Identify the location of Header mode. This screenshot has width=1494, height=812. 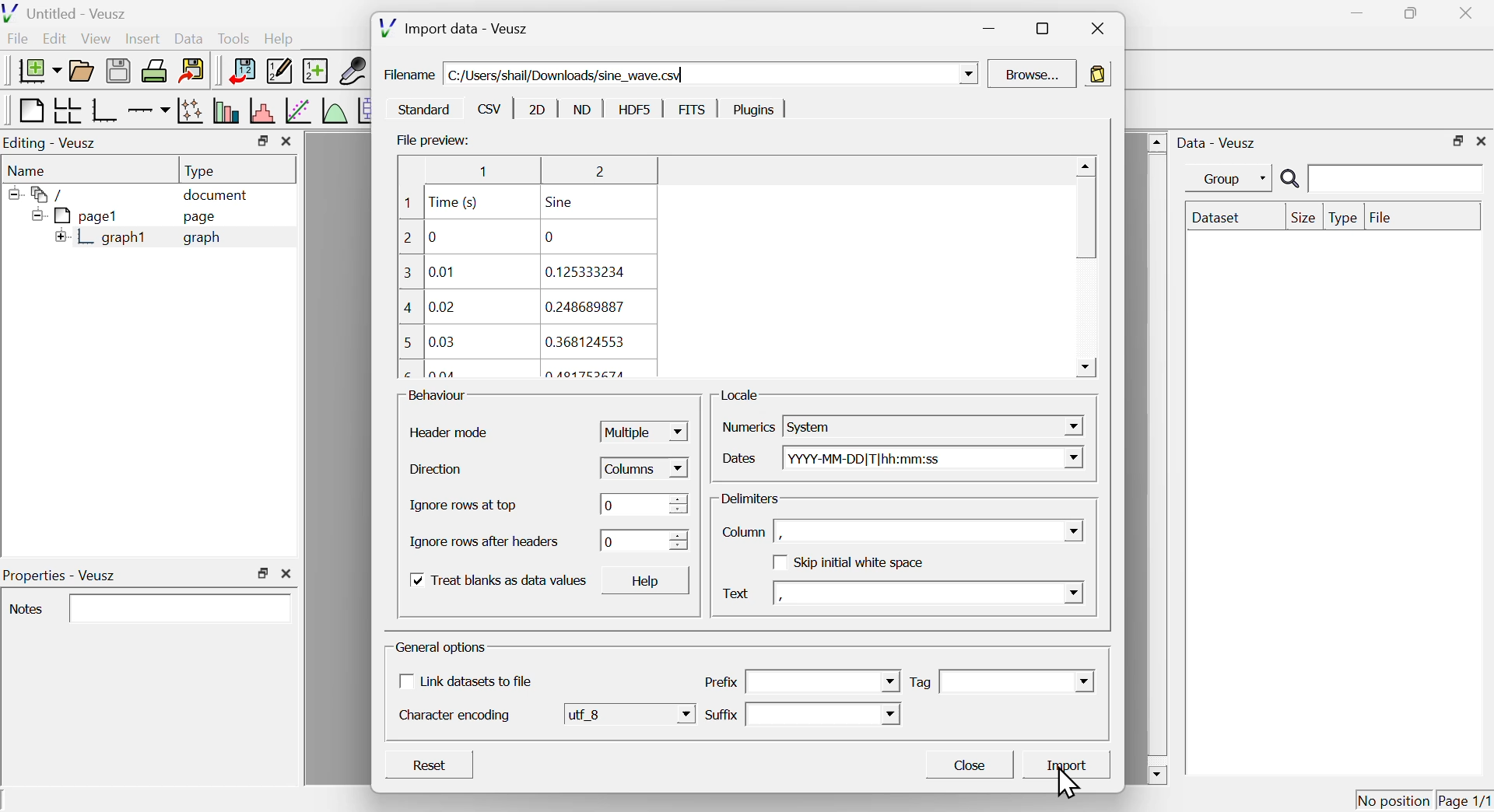
(450, 432).